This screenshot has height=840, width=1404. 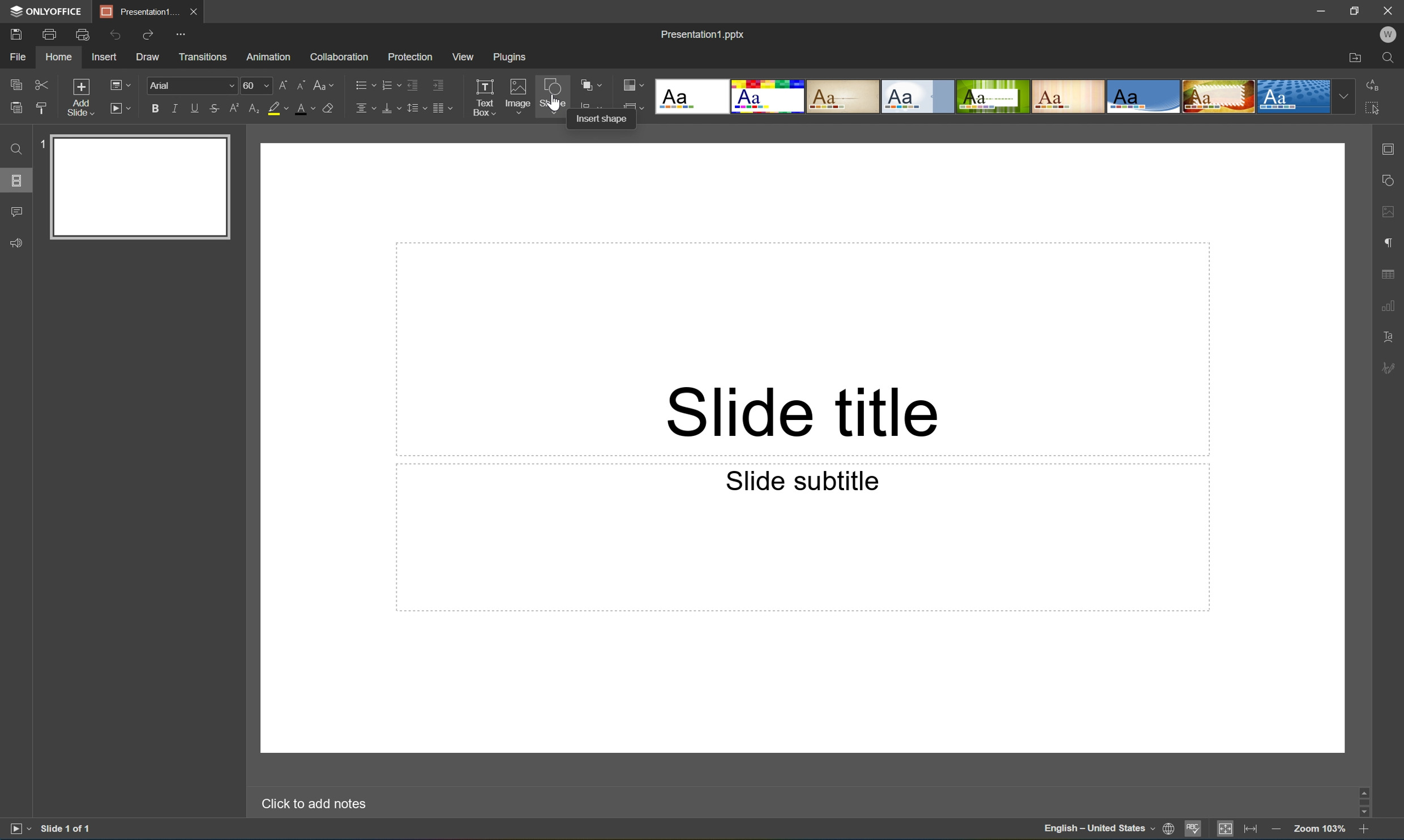 I want to click on Bold, so click(x=153, y=108).